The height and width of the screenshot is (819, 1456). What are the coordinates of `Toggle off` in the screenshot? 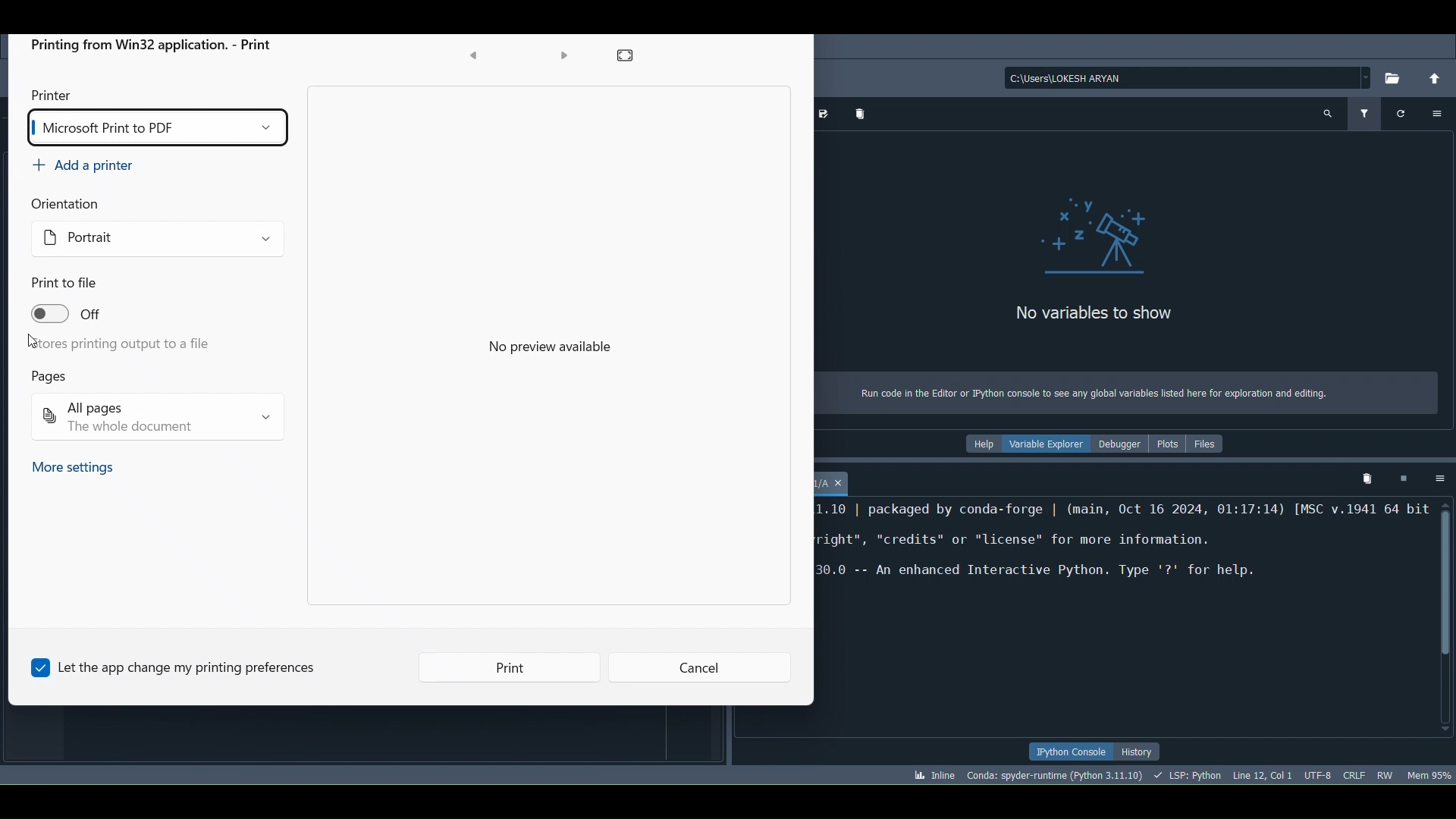 It's located at (85, 317).